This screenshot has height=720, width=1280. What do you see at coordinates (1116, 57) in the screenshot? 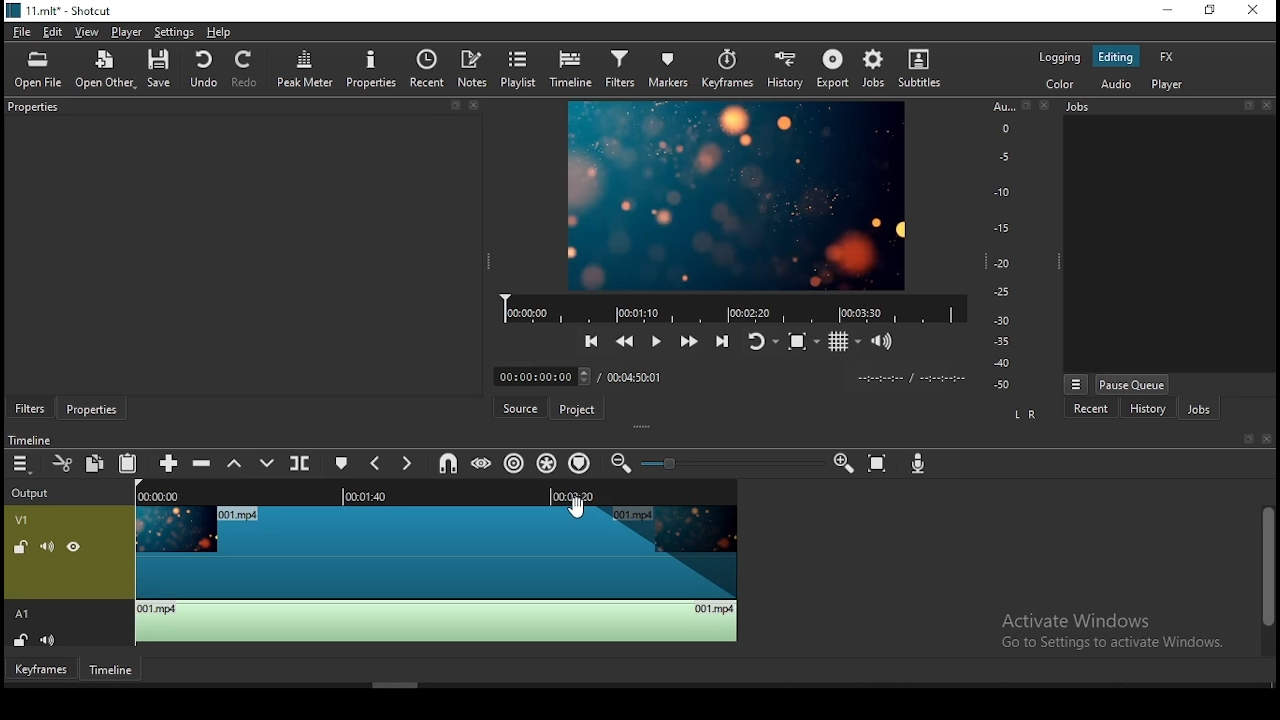
I see `editing` at bounding box center [1116, 57].